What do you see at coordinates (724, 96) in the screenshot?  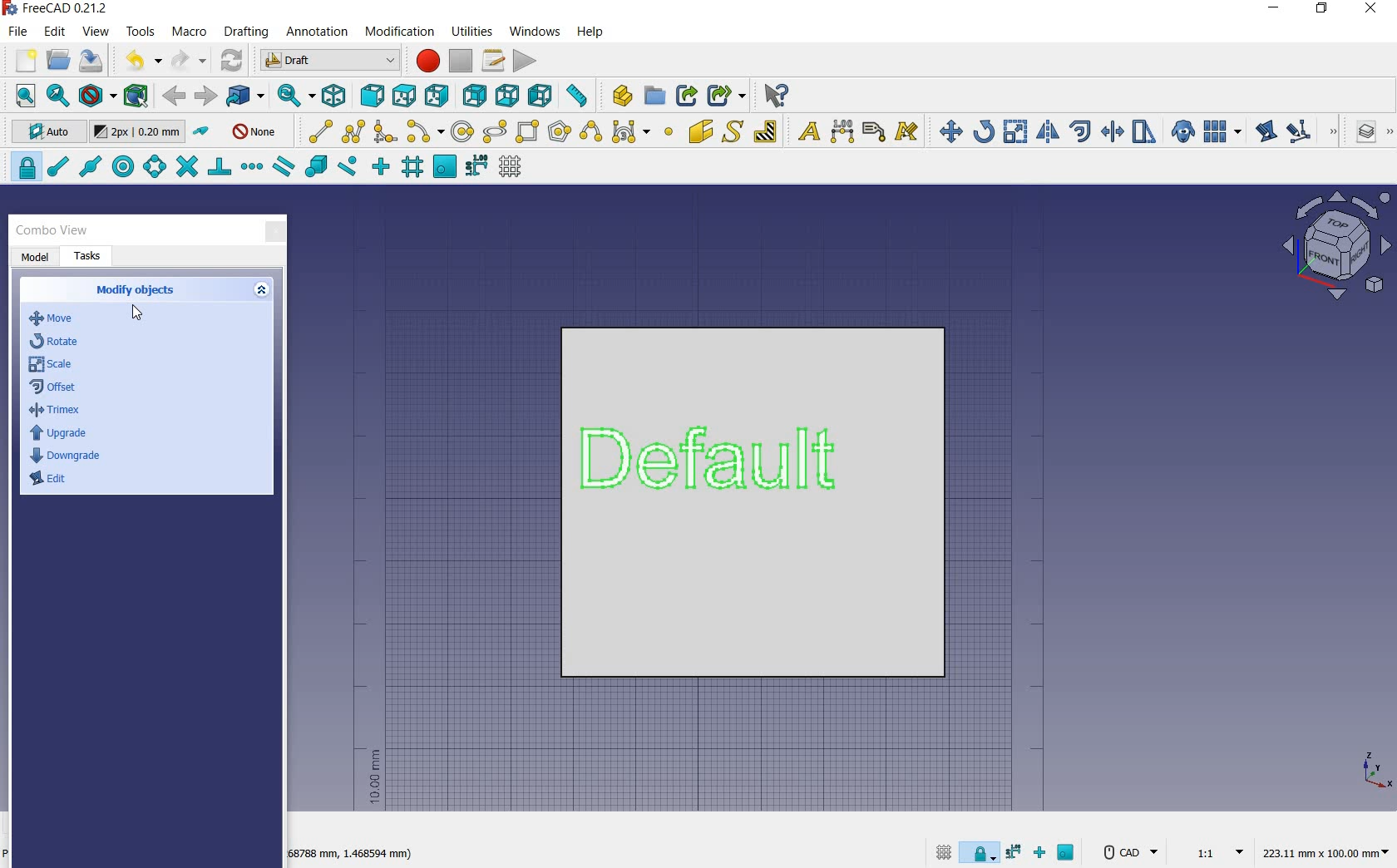 I see `make sub-link` at bounding box center [724, 96].